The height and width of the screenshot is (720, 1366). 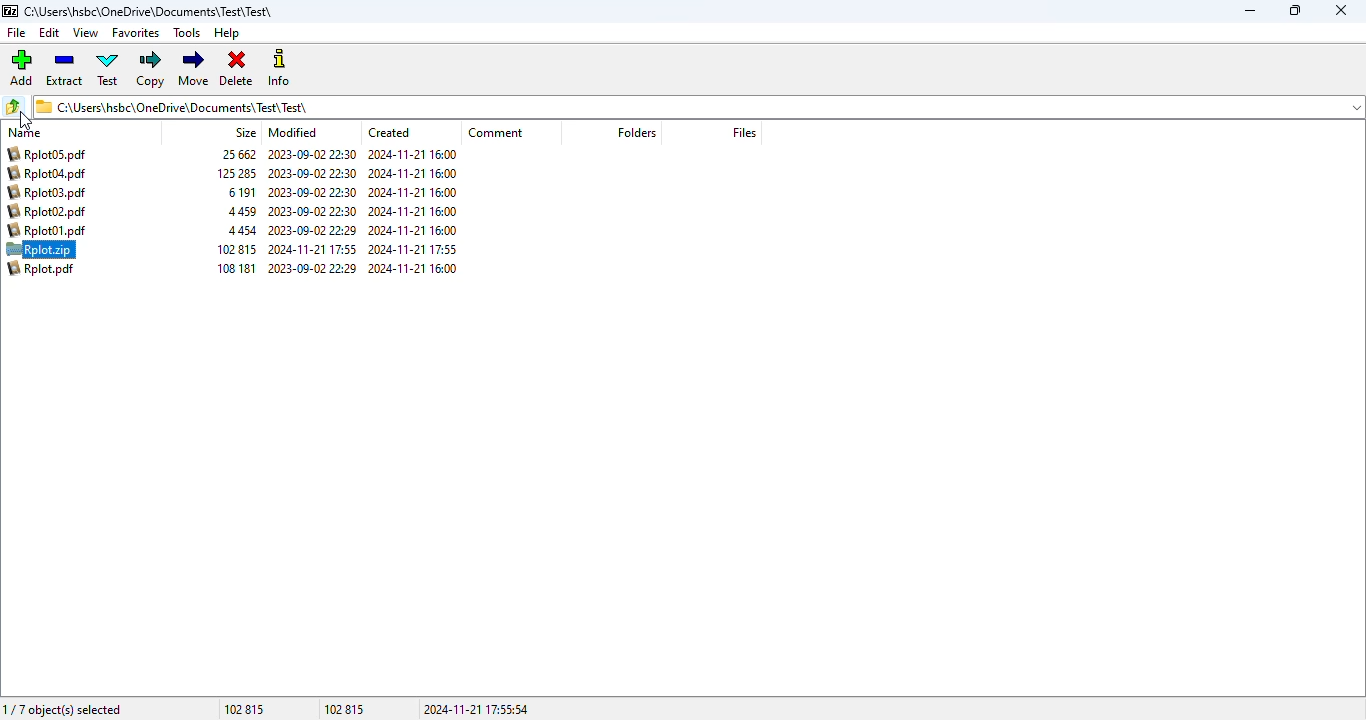 I want to click on 2024-11-21 16:00, so click(x=412, y=173).